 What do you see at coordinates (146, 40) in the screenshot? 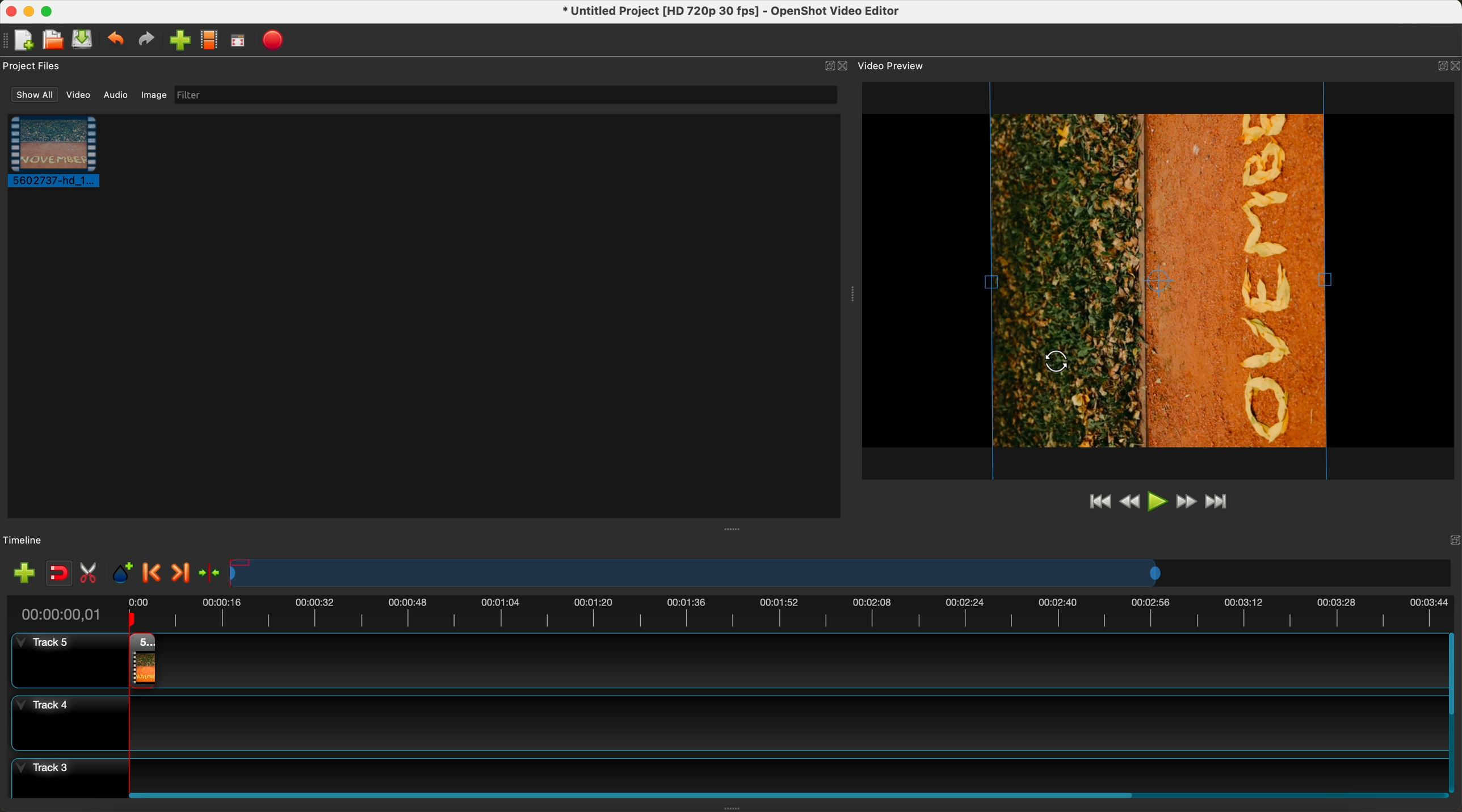
I see `redo` at bounding box center [146, 40].